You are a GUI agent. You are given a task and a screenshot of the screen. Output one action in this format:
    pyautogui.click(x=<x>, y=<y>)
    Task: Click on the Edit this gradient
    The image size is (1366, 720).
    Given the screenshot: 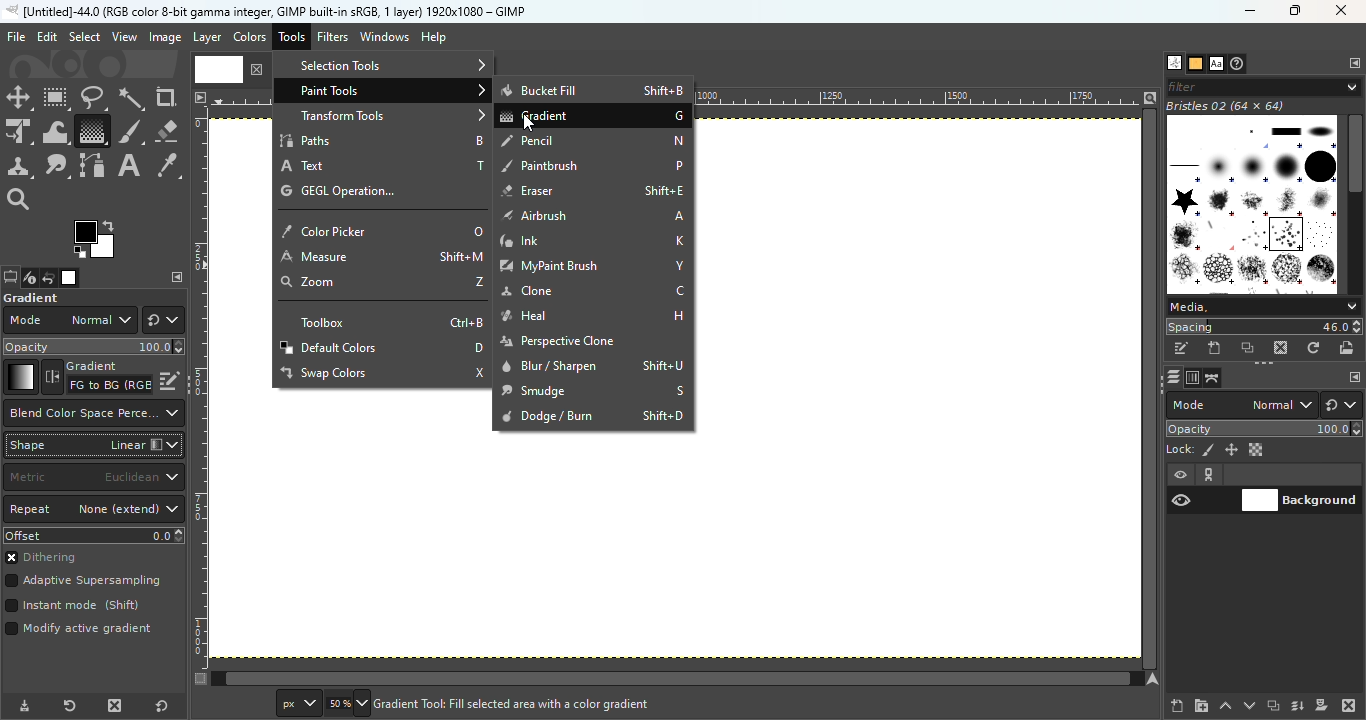 What is the action you would take?
    pyautogui.click(x=170, y=379)
    